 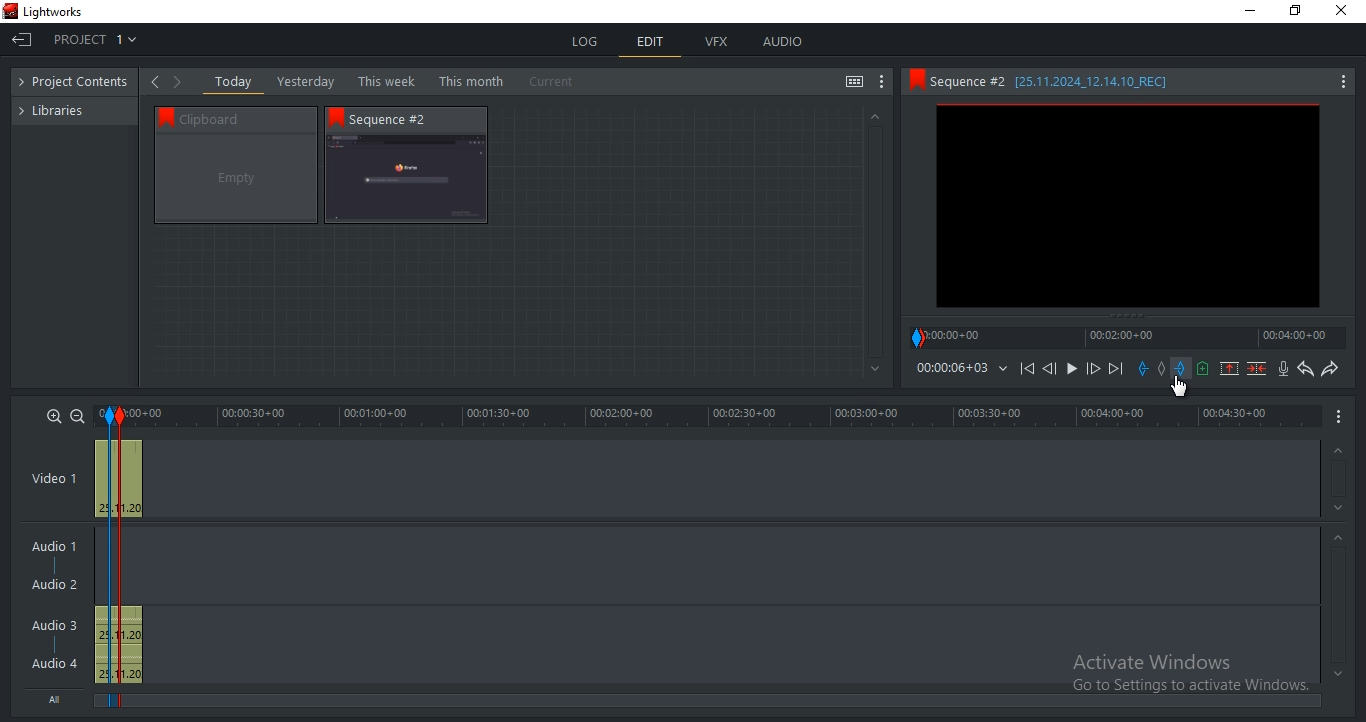 I want to click on timeline, so click(x=1128, y=337).